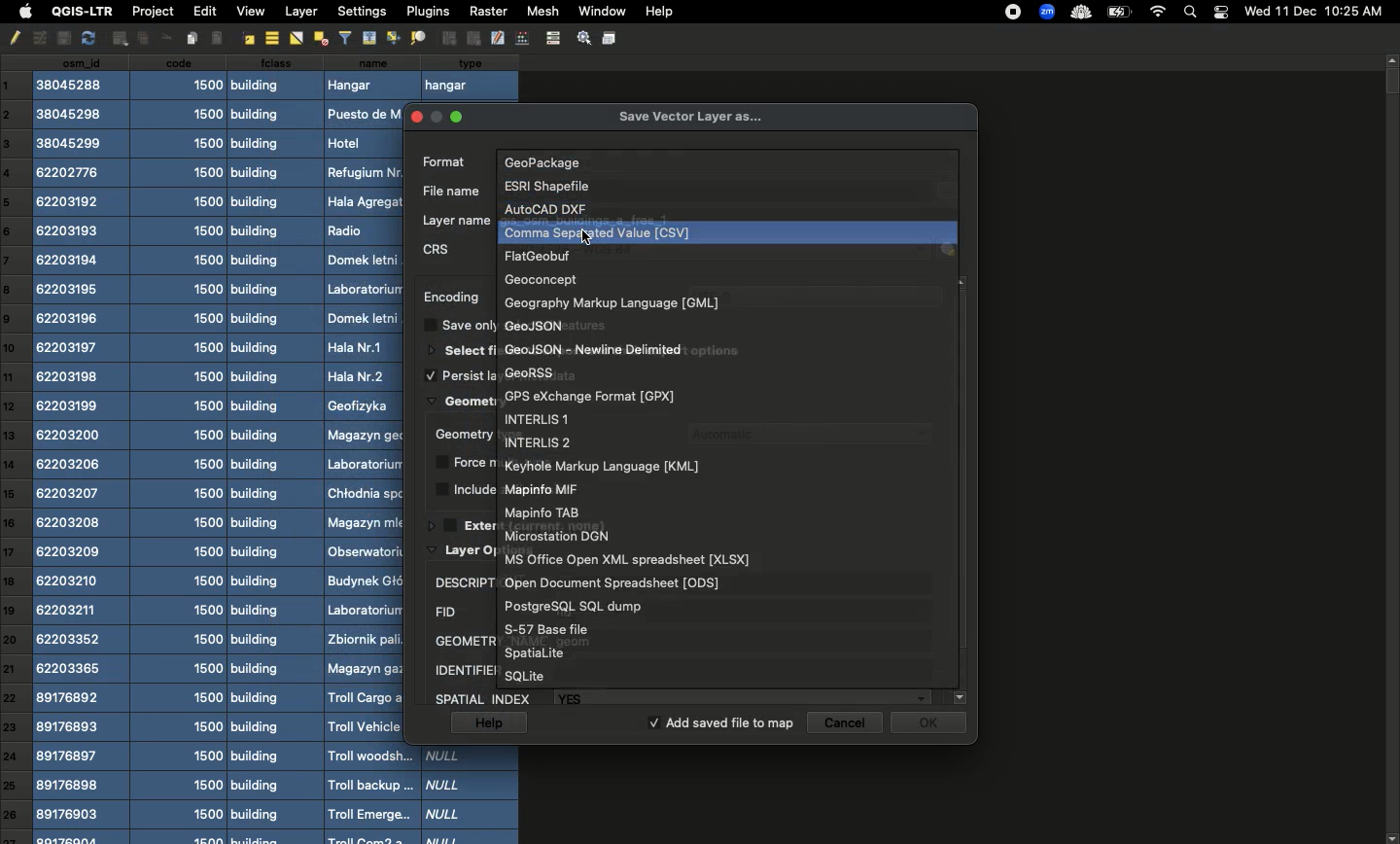  Describe the element at coordinates (611, 38) in the screenshot. I see `Save` at that location.